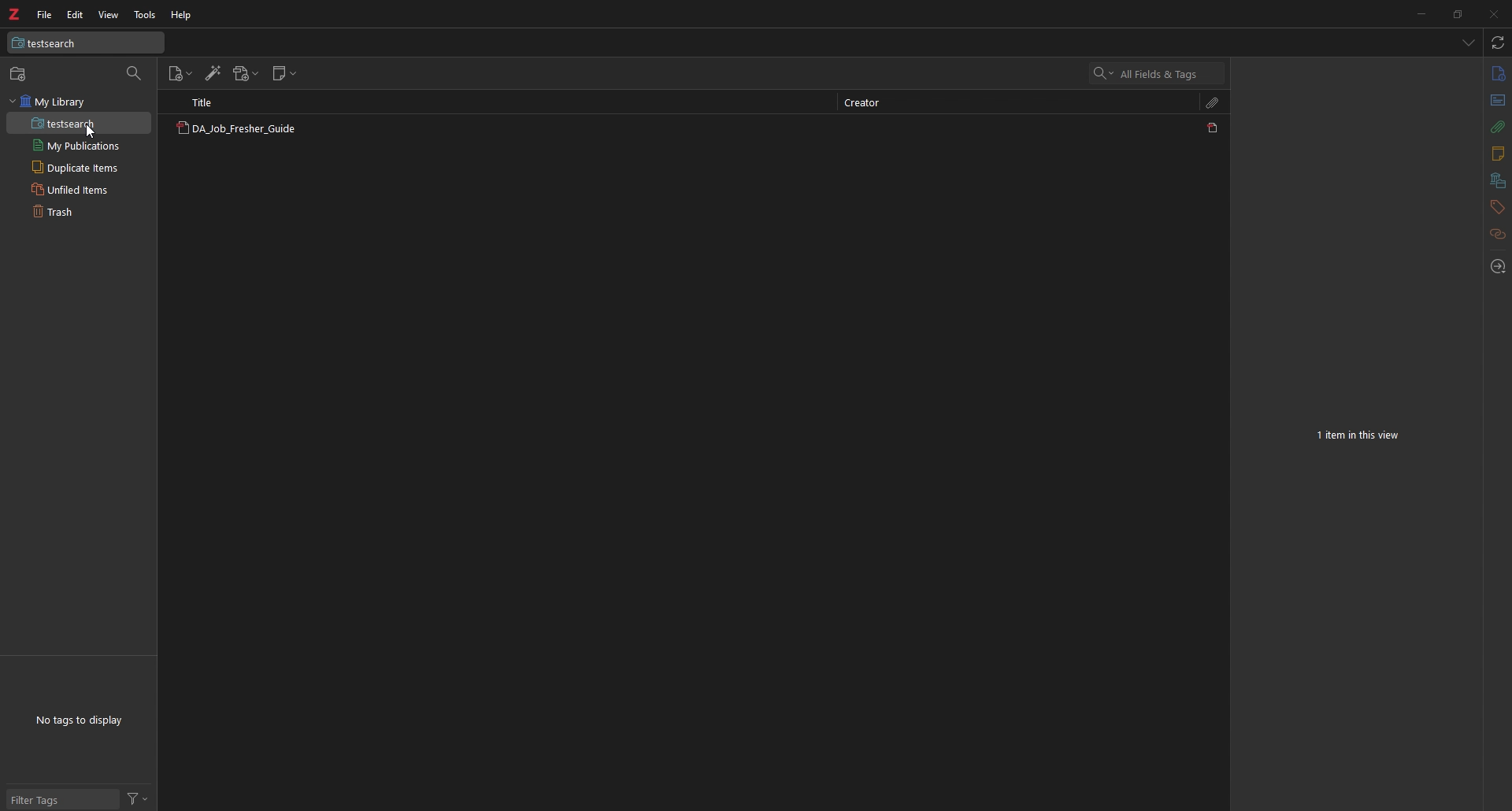  What do you see at coordinates (1499, 101) in the screenshot?
I see `abstract` at bounding box center [1499, 101].